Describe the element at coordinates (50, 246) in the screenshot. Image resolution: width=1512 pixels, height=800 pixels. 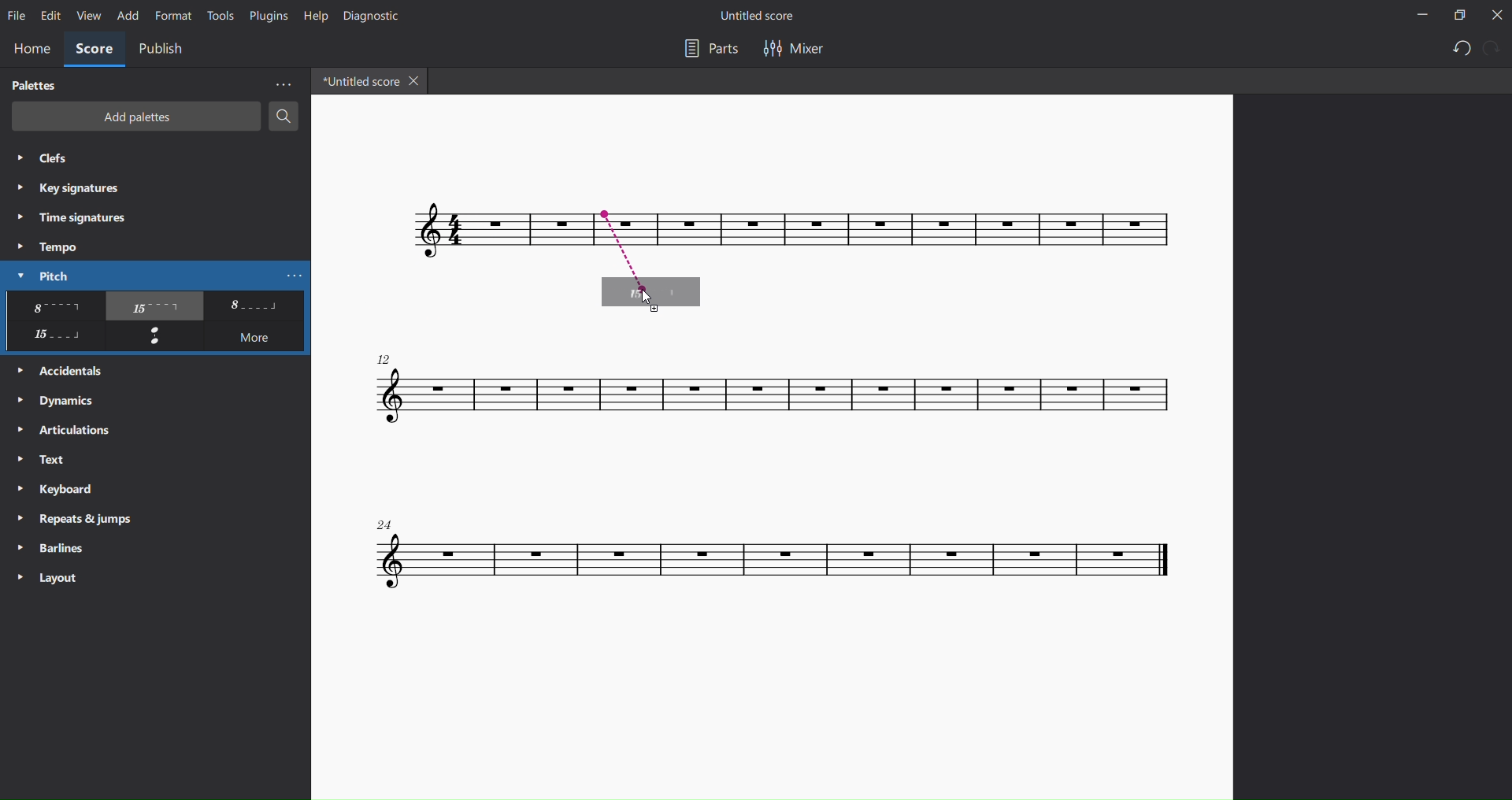
I see `tempo` at that location.